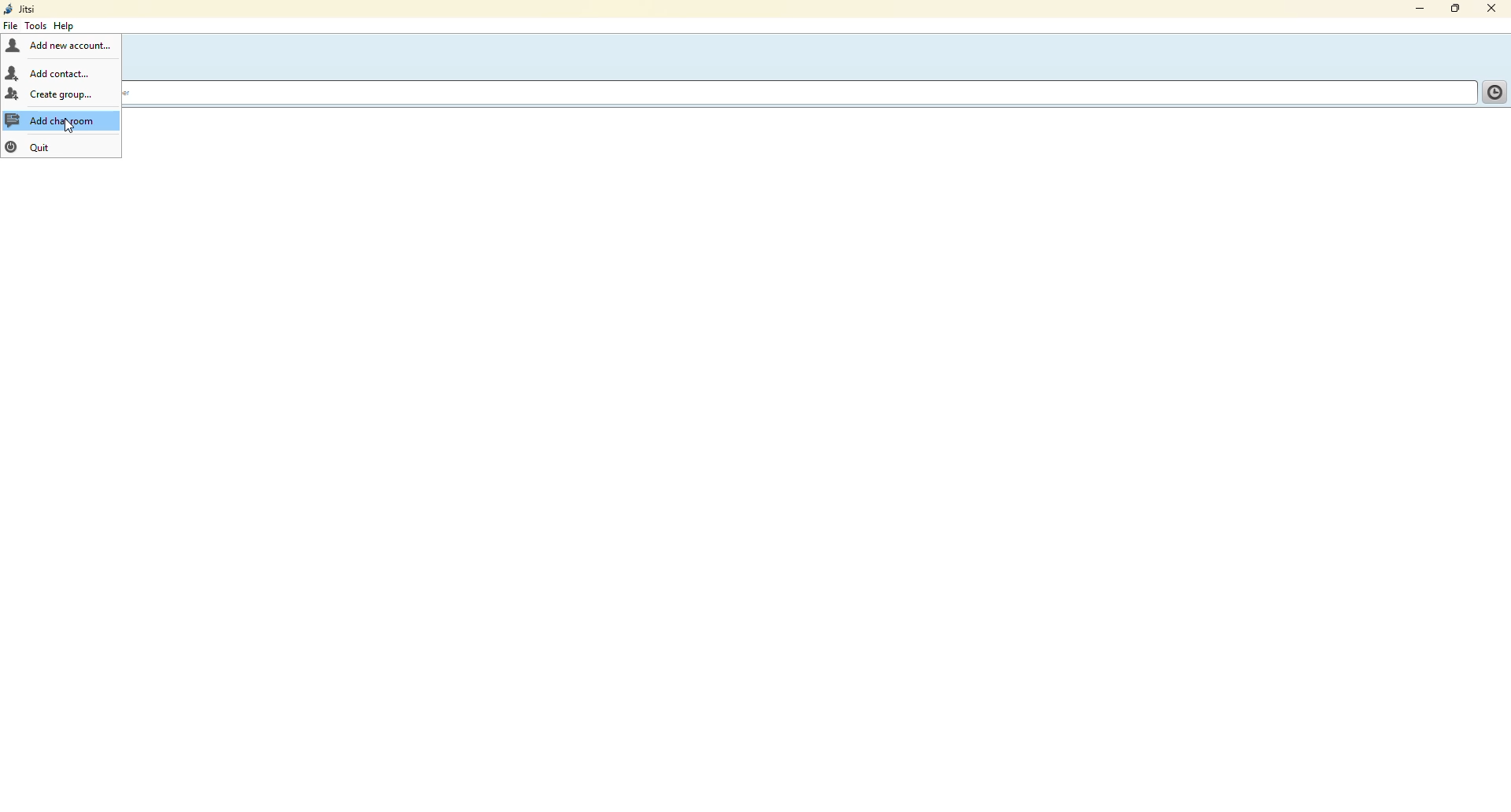 Image resolution: width=1511 pixels, height=812 pixels. Describe the element at coordinates (62, 120) in the screenshot. I see `add chat room` at that location.